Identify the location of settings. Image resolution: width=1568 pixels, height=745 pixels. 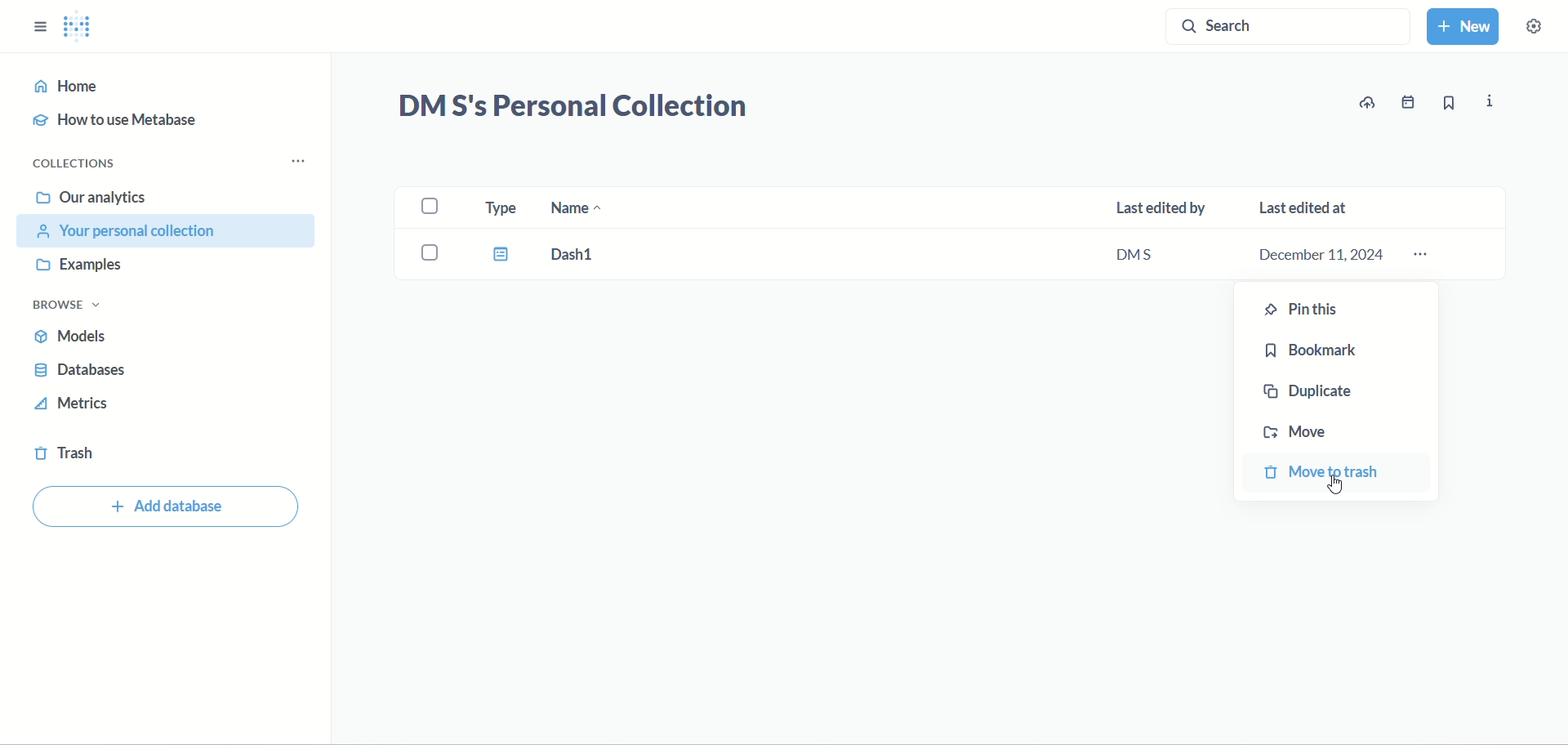
(1542, 32).